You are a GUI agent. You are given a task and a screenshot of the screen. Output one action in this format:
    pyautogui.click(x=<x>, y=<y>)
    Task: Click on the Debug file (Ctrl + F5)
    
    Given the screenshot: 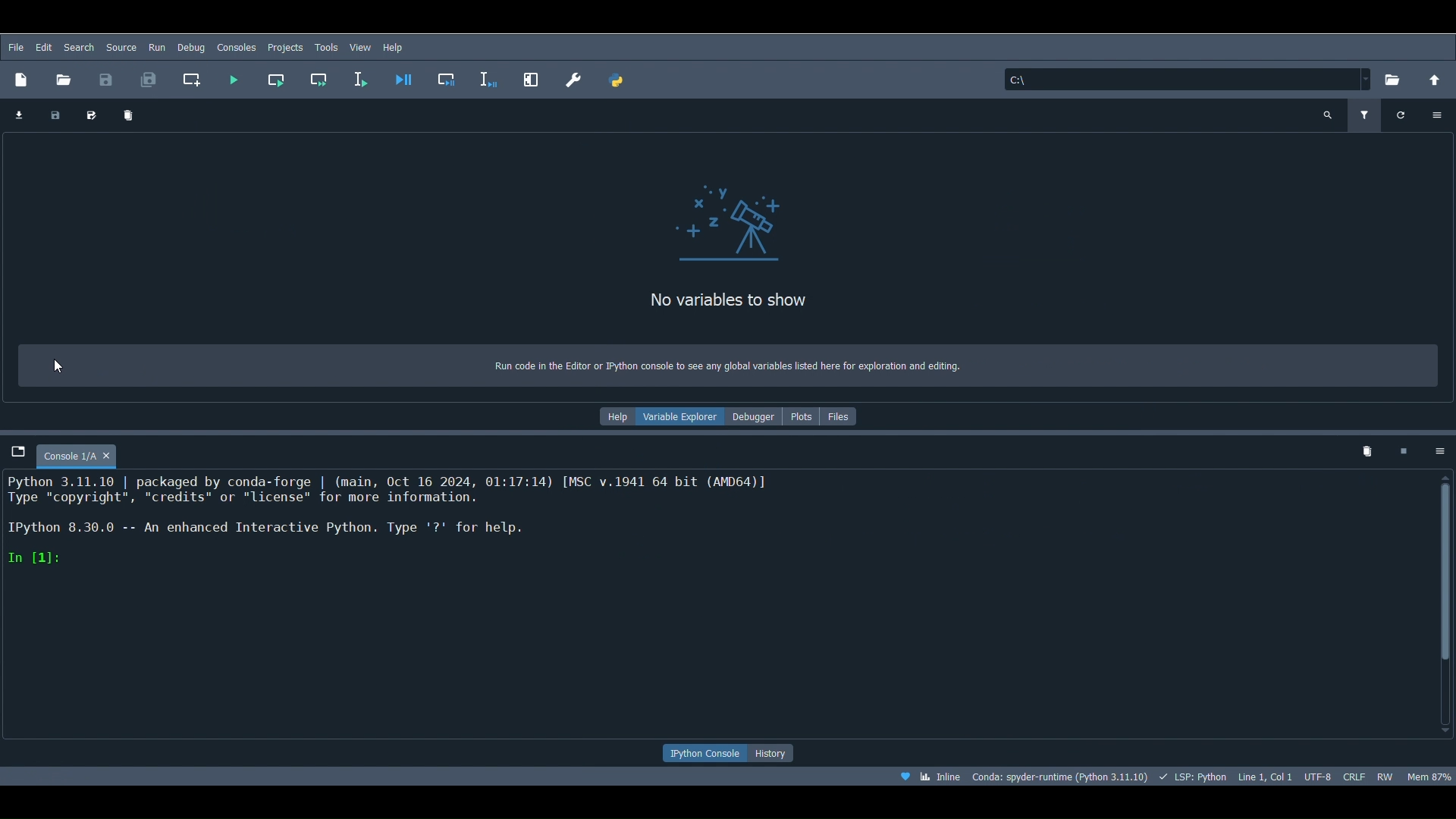 What is the action you would take?
    pyautogui.click(x=405, y=76)
    